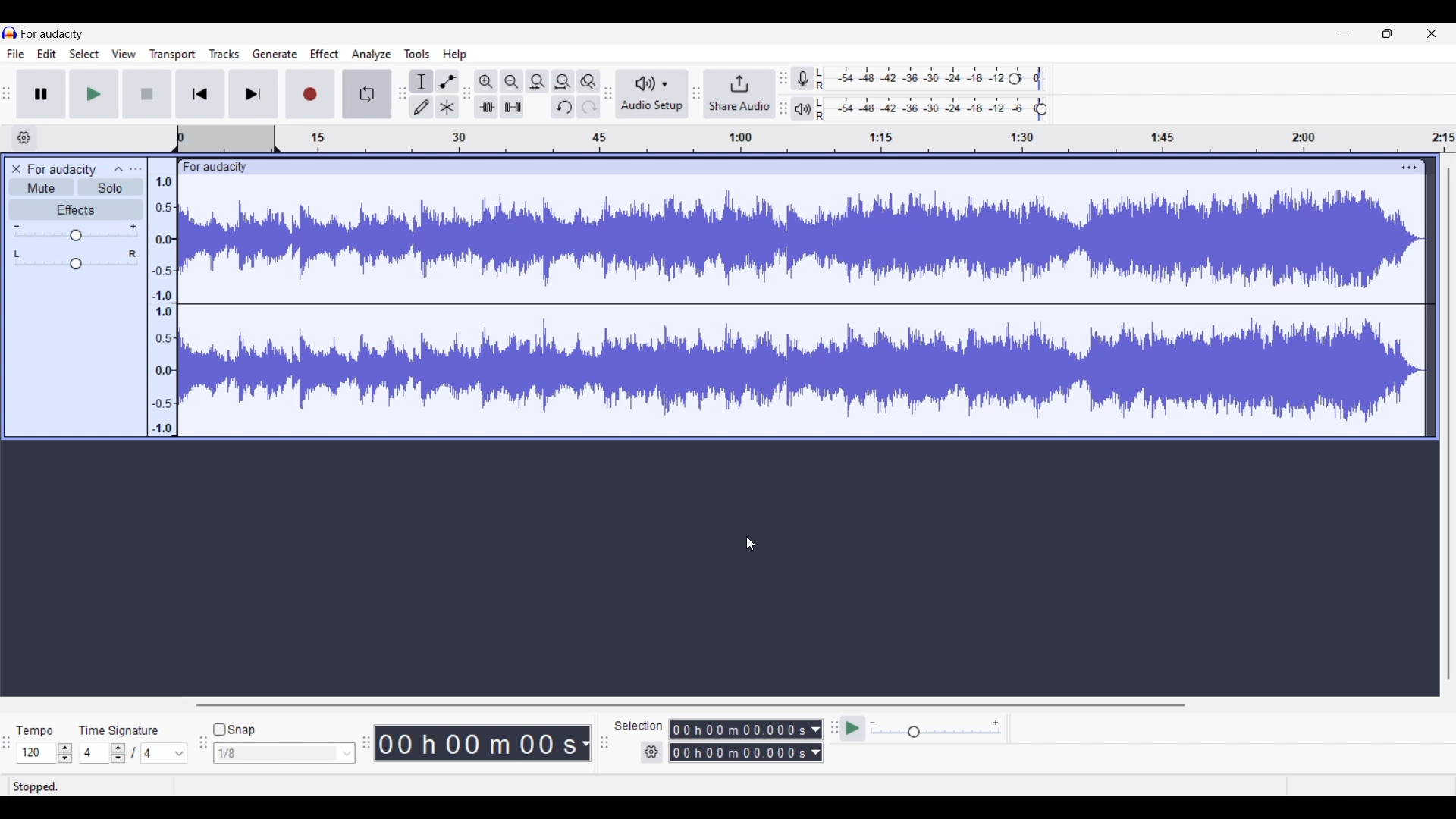 The width and height of the screenshot is (1456, 819). I want to click on Increase/Decrease tempo, so click(65, 753).